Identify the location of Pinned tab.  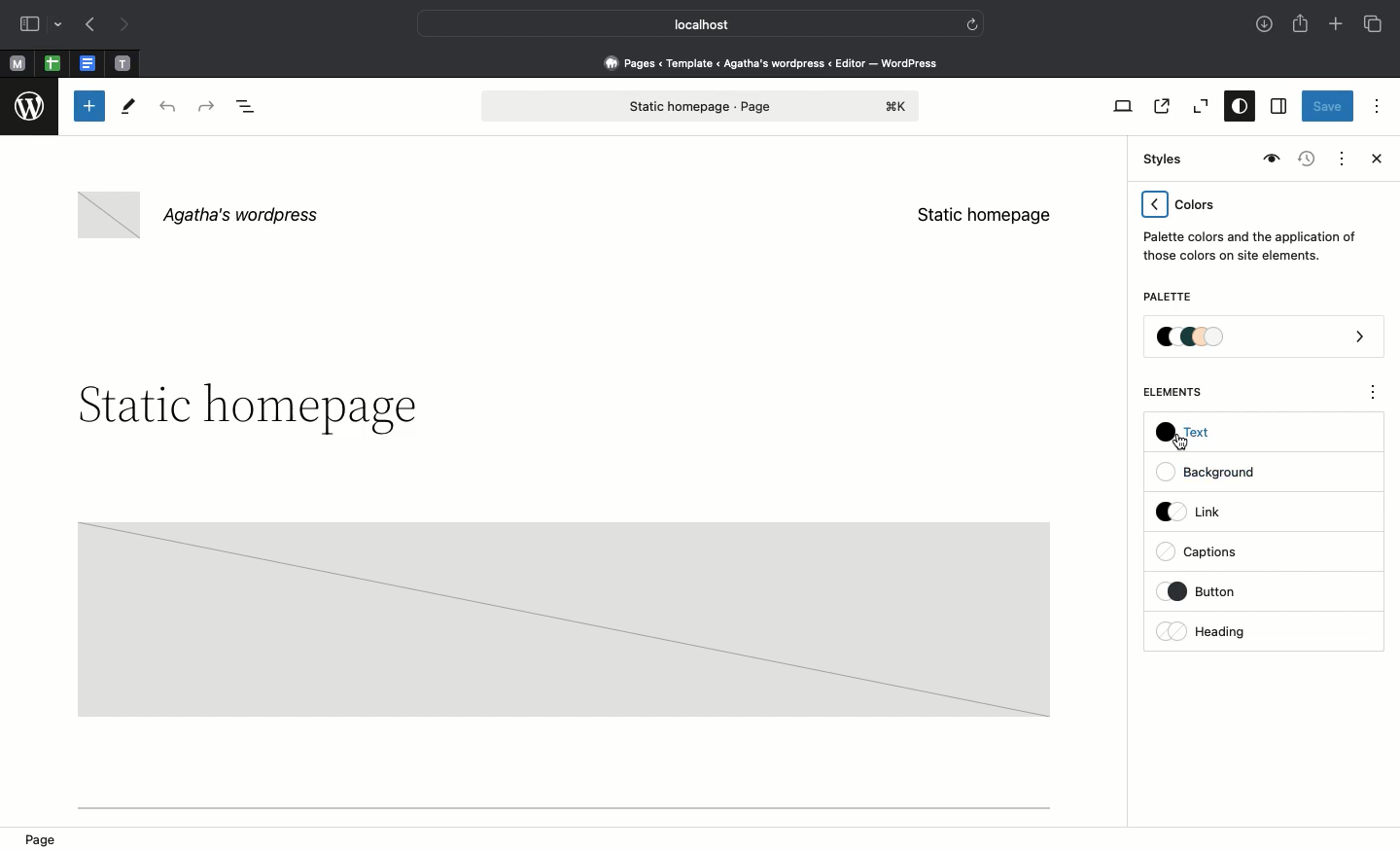
(123, 64).